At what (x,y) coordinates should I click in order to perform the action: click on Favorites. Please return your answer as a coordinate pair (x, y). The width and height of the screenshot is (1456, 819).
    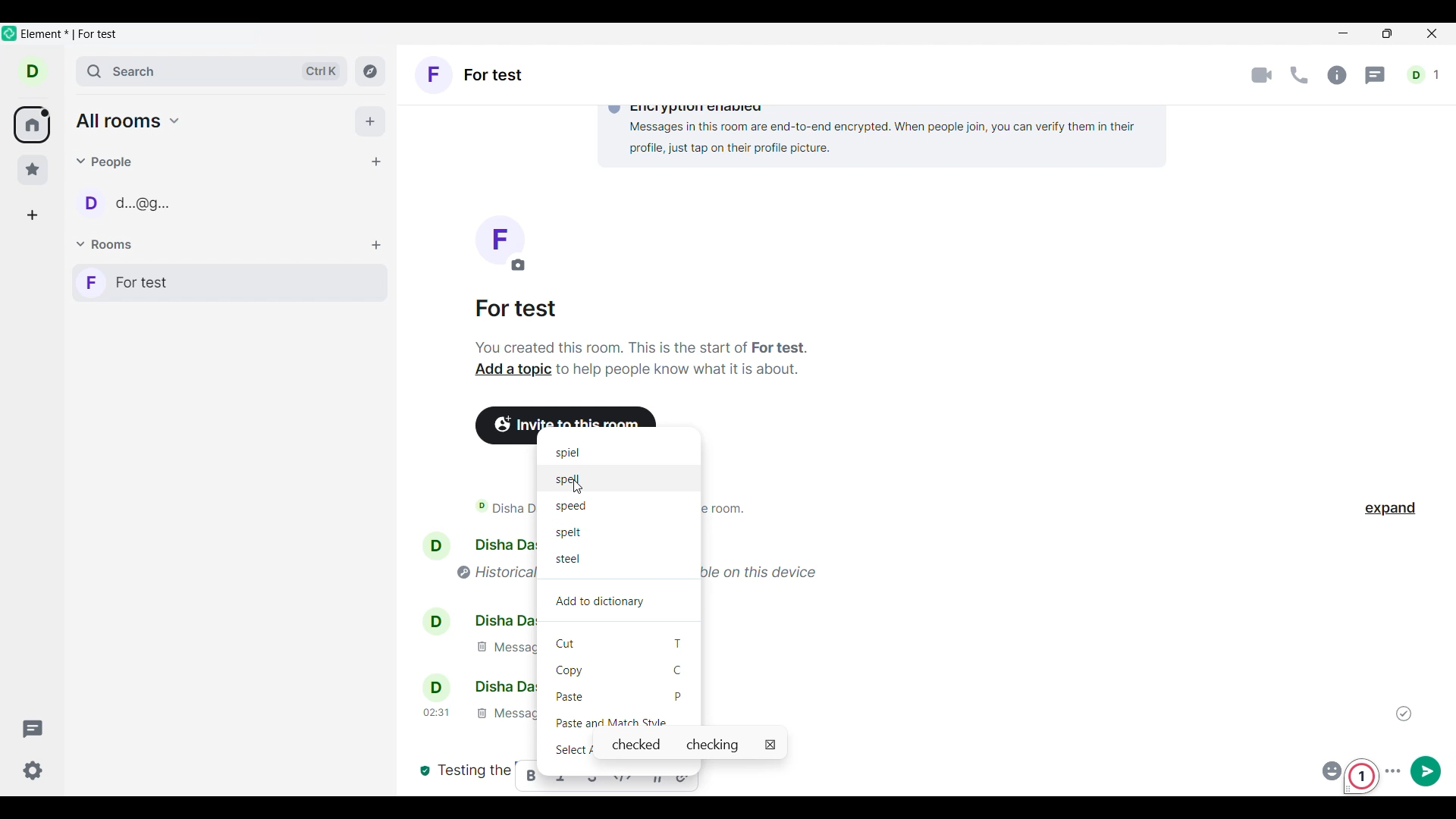
    Looking at the image, I should click on (33, 170).